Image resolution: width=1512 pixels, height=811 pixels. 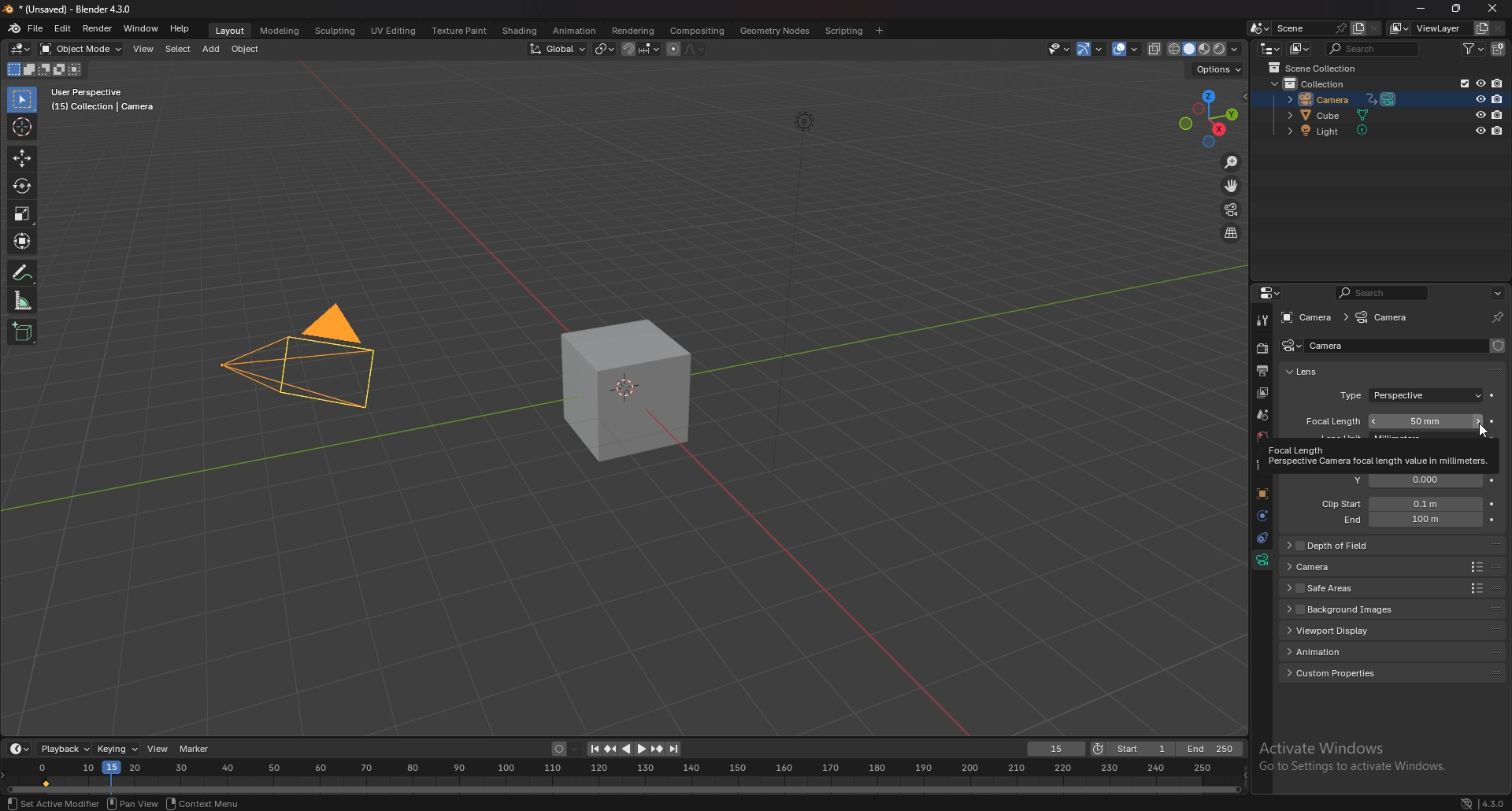 I want to click on clip start, so click(x=1397, y=503).